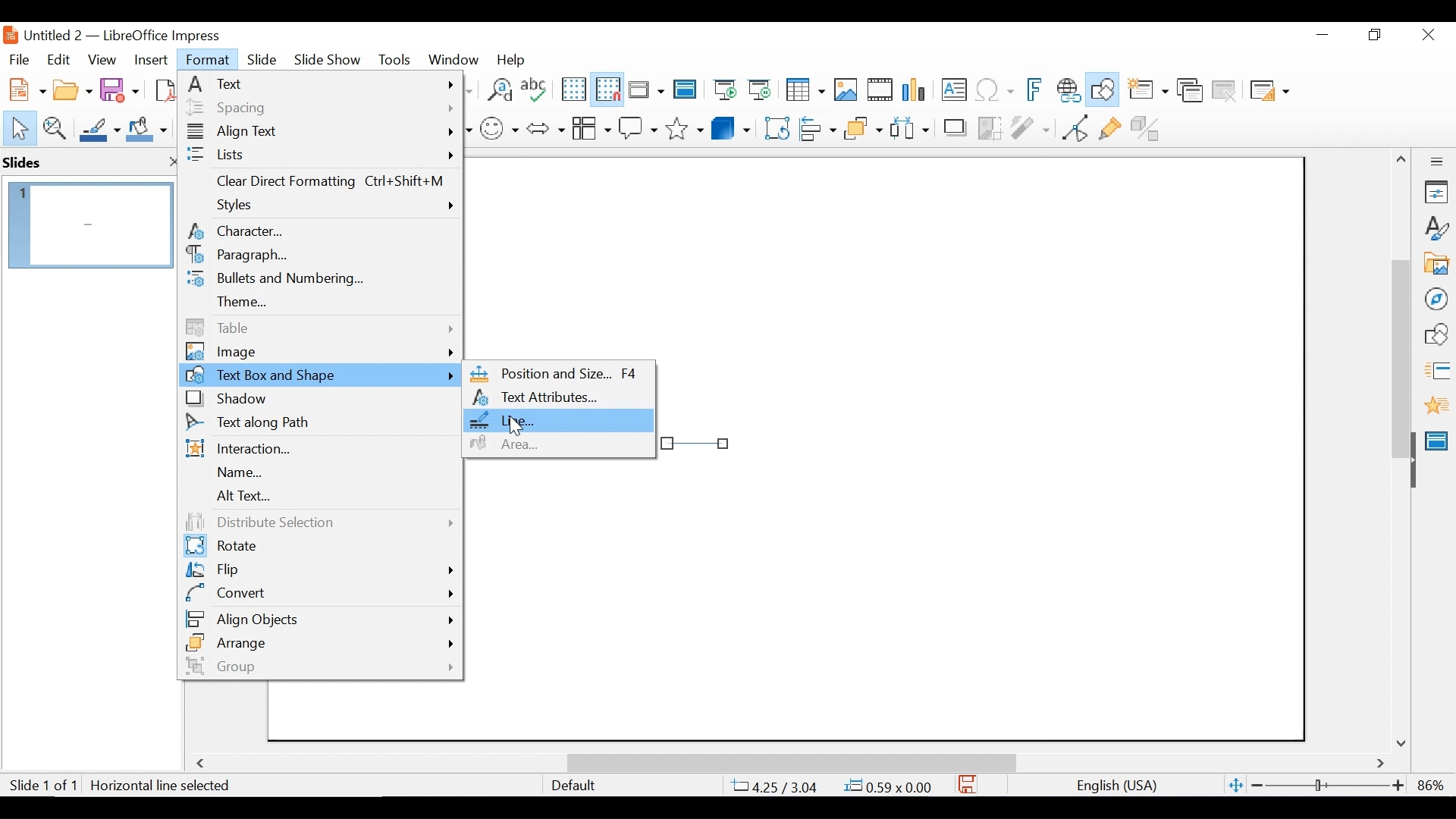 This screenshot has width=1456, height=819. What do you see at coordinates (536, 89) in the screenshot?
I see `Spelling` at bounding box center [536, 89].